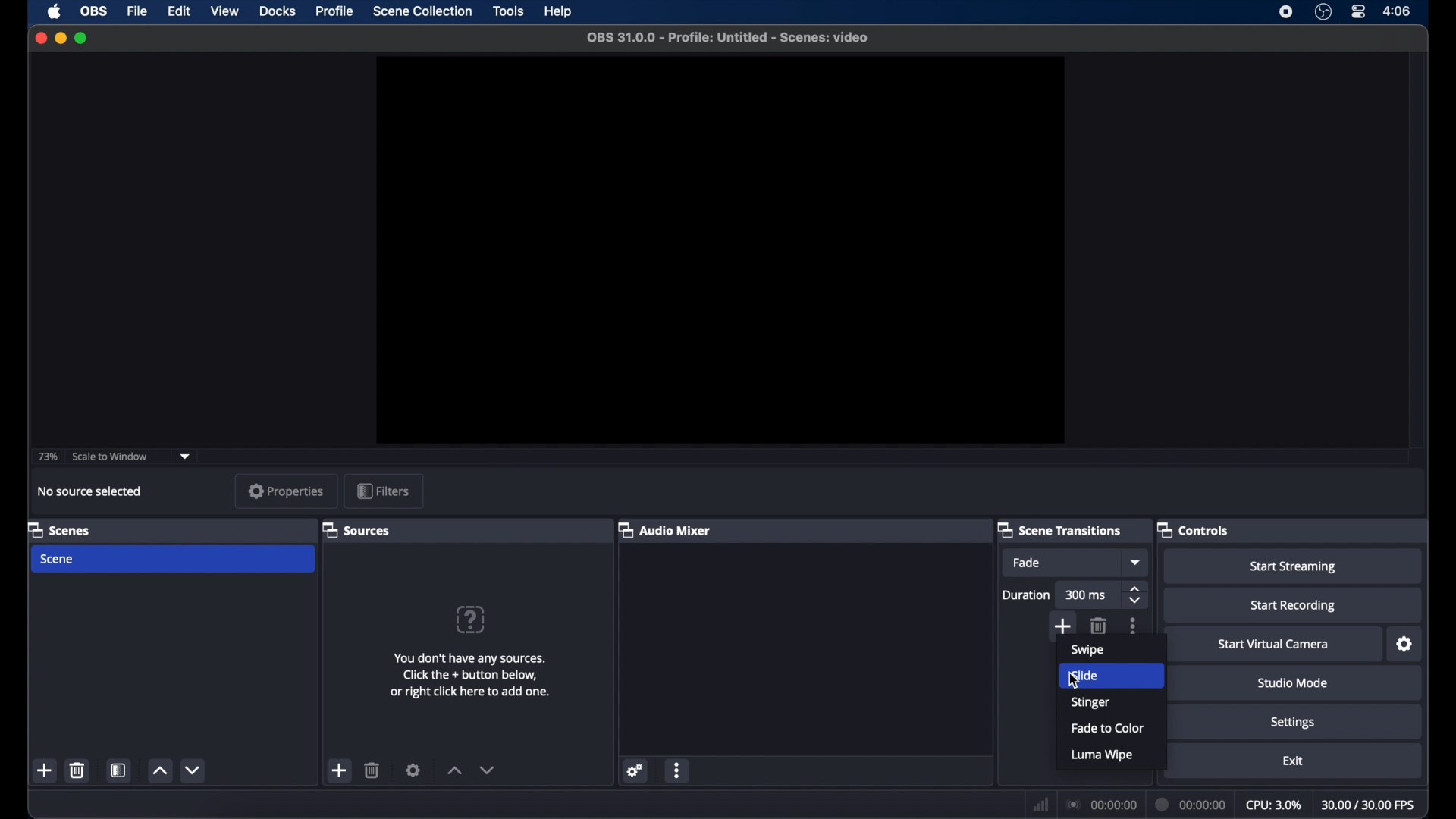  I want to click on fps, so click(1370, 805).